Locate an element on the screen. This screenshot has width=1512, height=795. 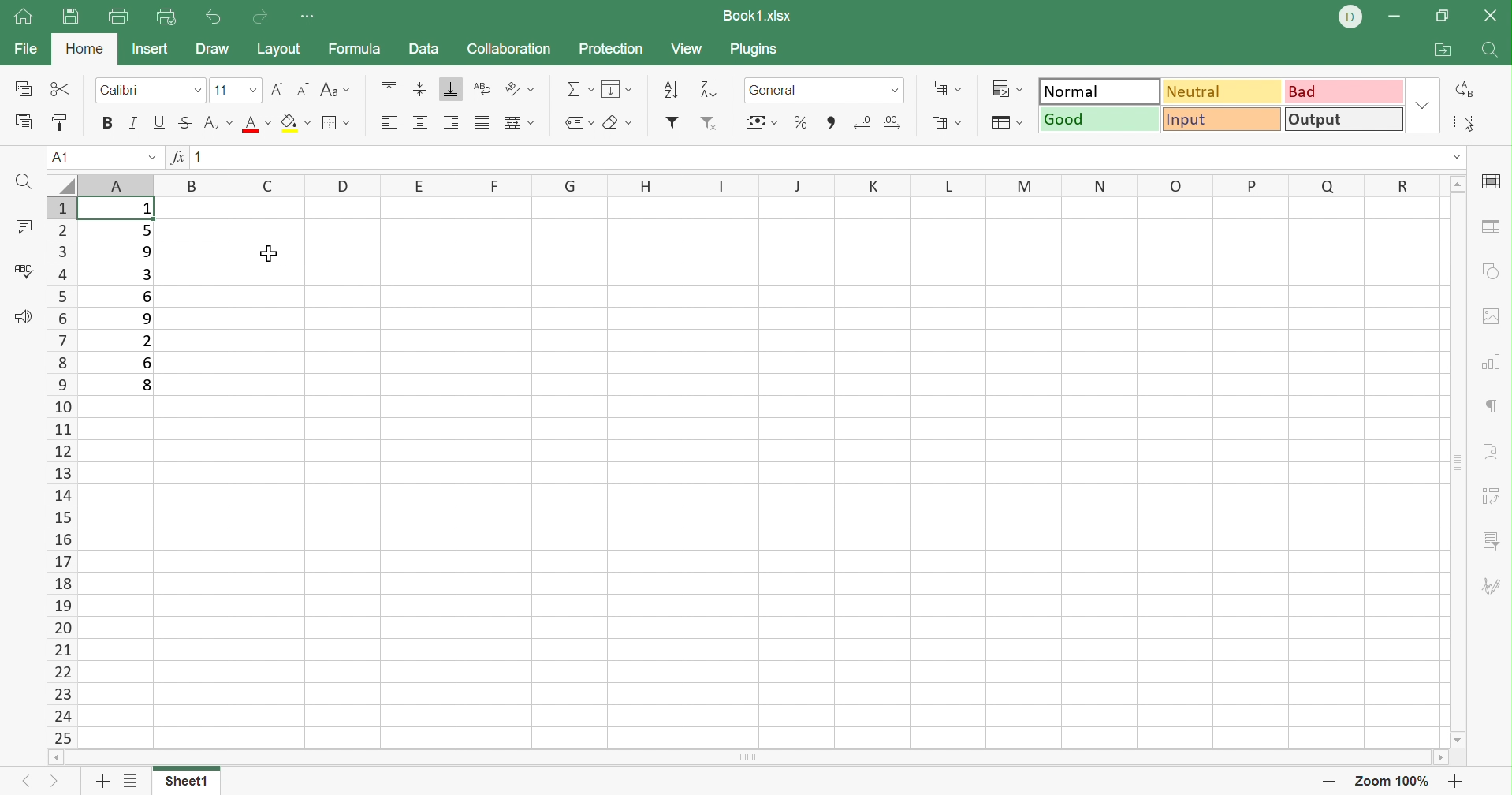
Borders is located at coordinates (336, 123).